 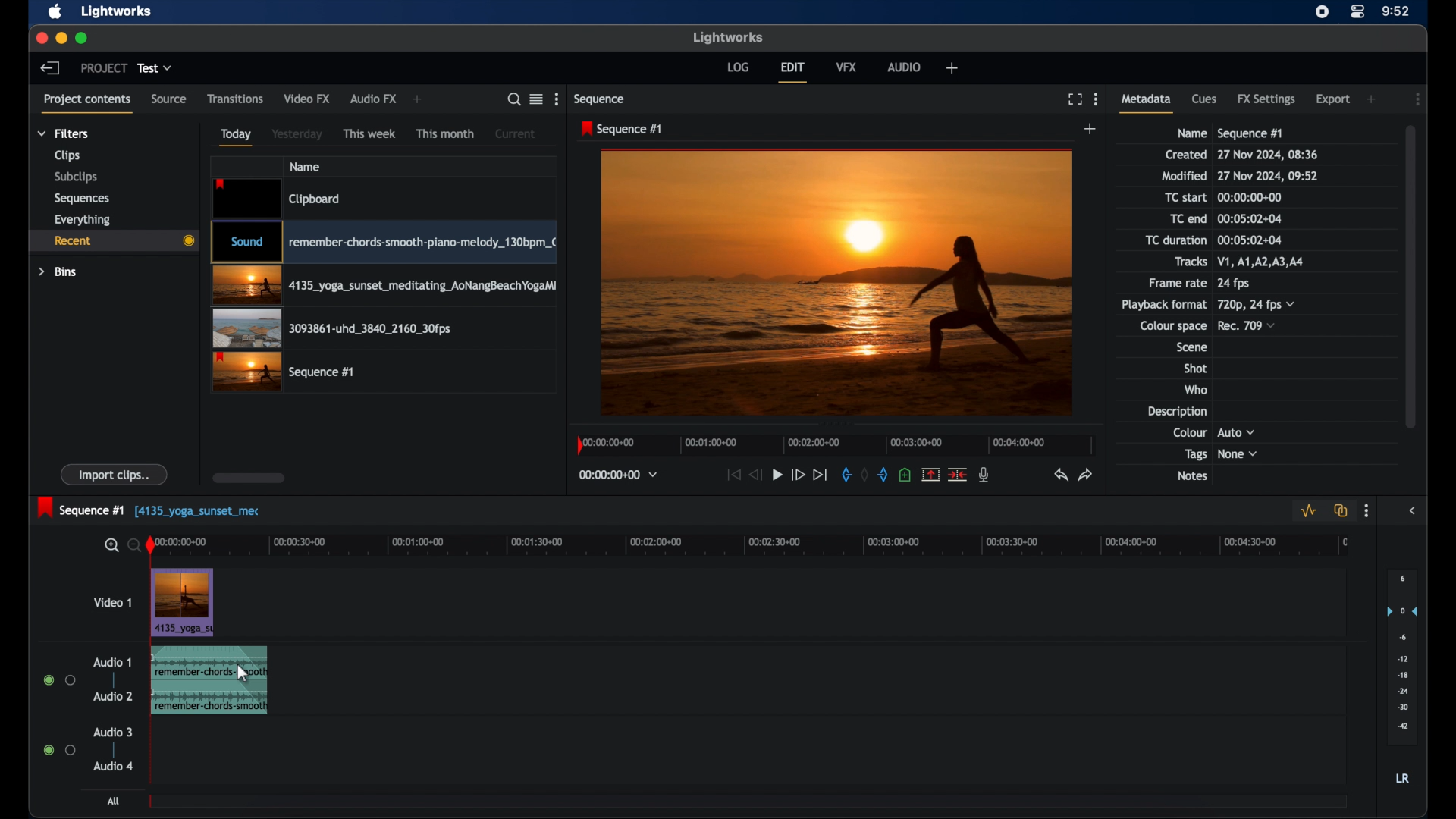 What do you see at coordinates (1266, 262) in the screenshot?
I see `tracks` at bounding box center [1266, 262].